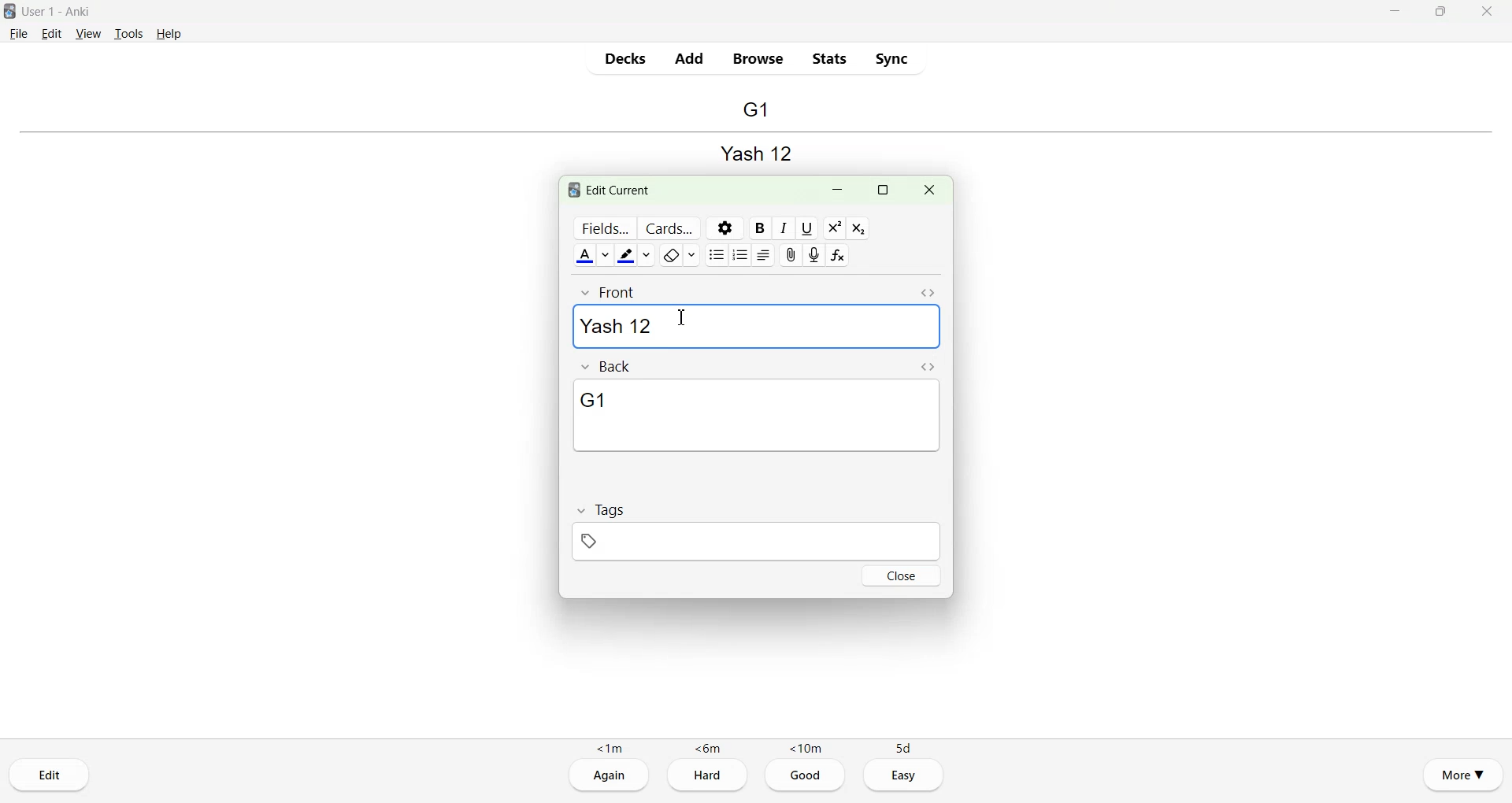 The height and width of the screenshot is (803, 1512). I want to click on Underline text, so click(810, 228).